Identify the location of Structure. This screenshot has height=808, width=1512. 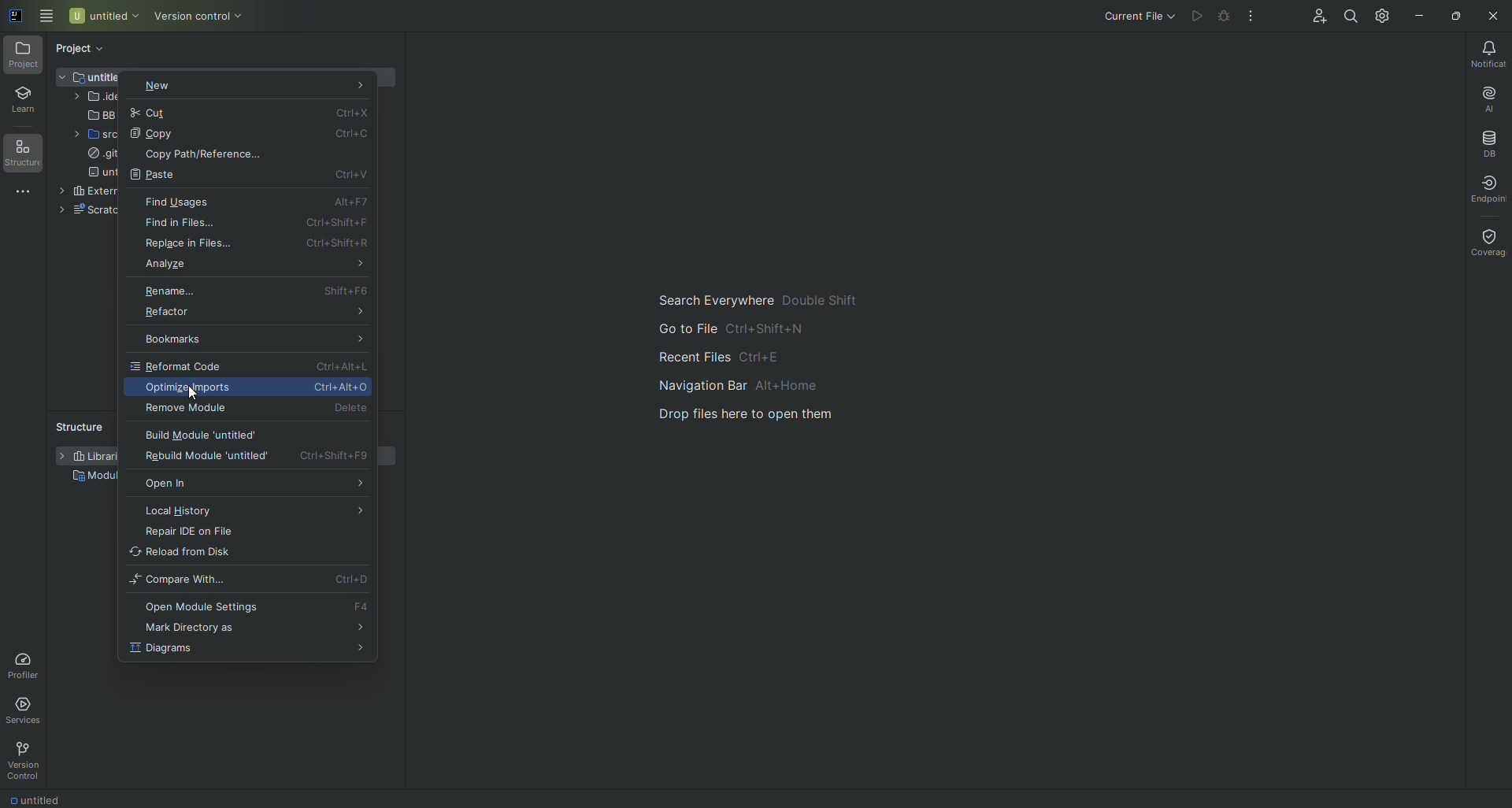
(23, 154).